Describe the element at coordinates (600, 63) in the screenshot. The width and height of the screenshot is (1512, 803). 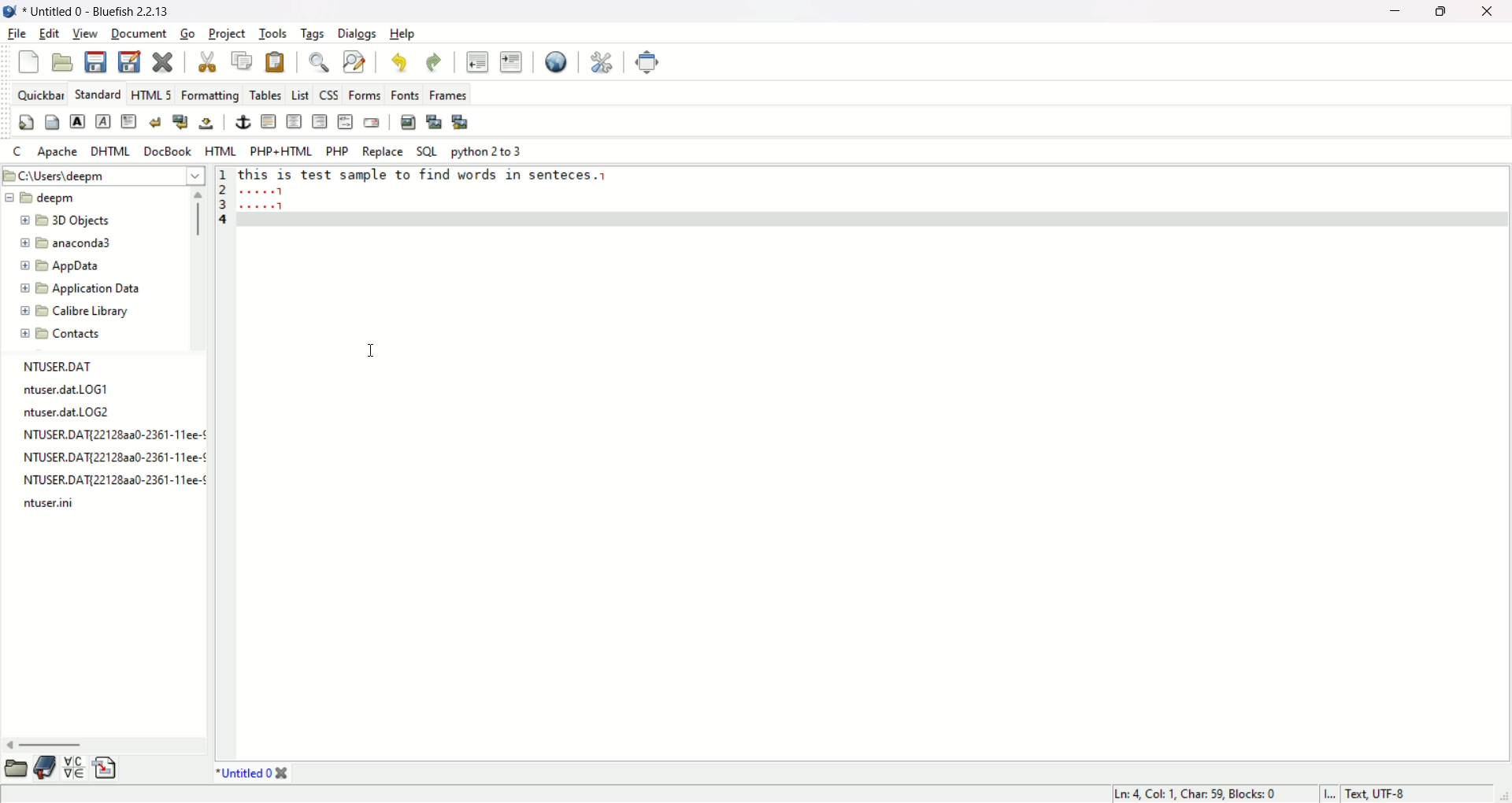
I see `preferences` at that location.